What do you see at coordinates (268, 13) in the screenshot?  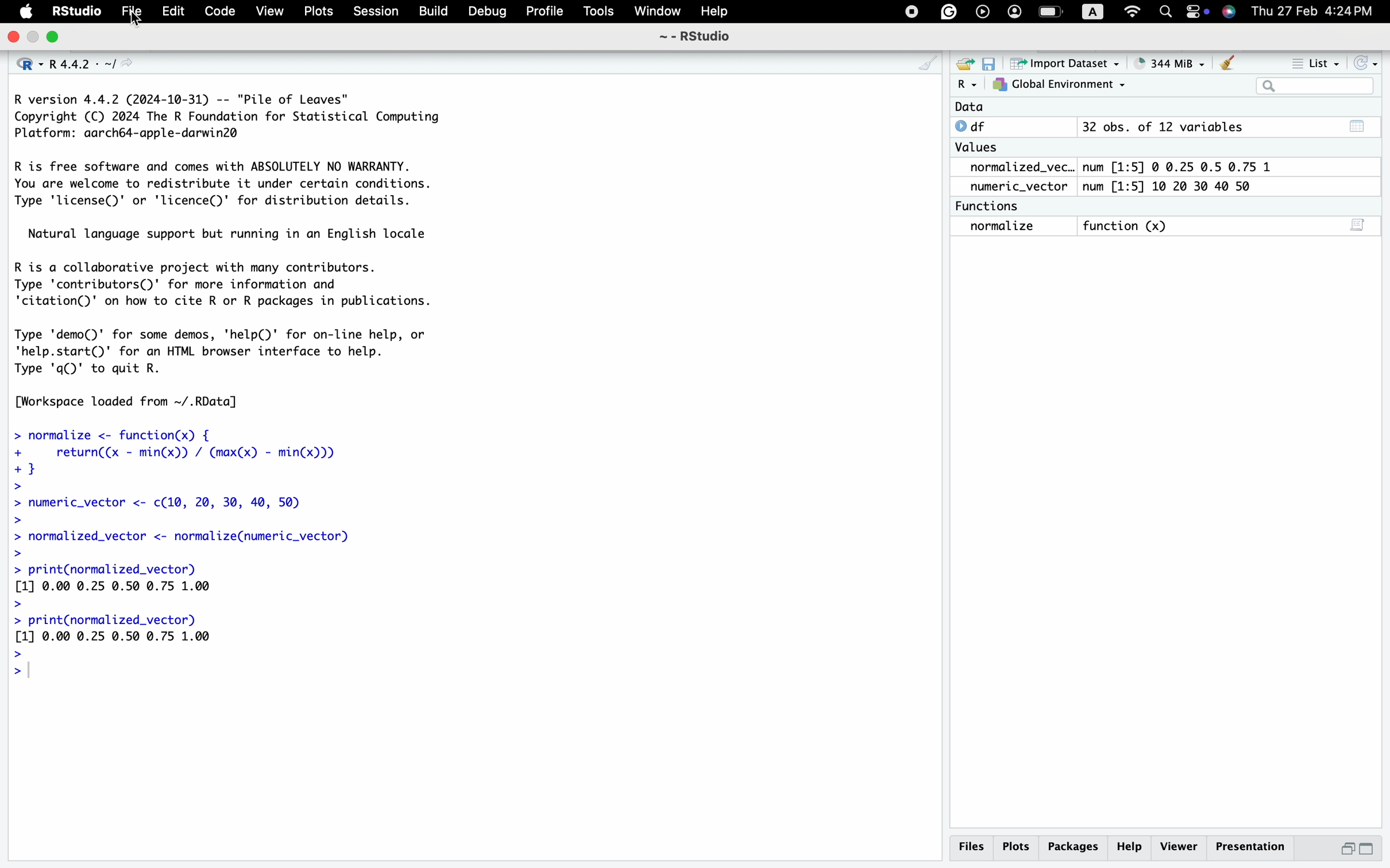 I see `View` at bounding box center [268, 13].